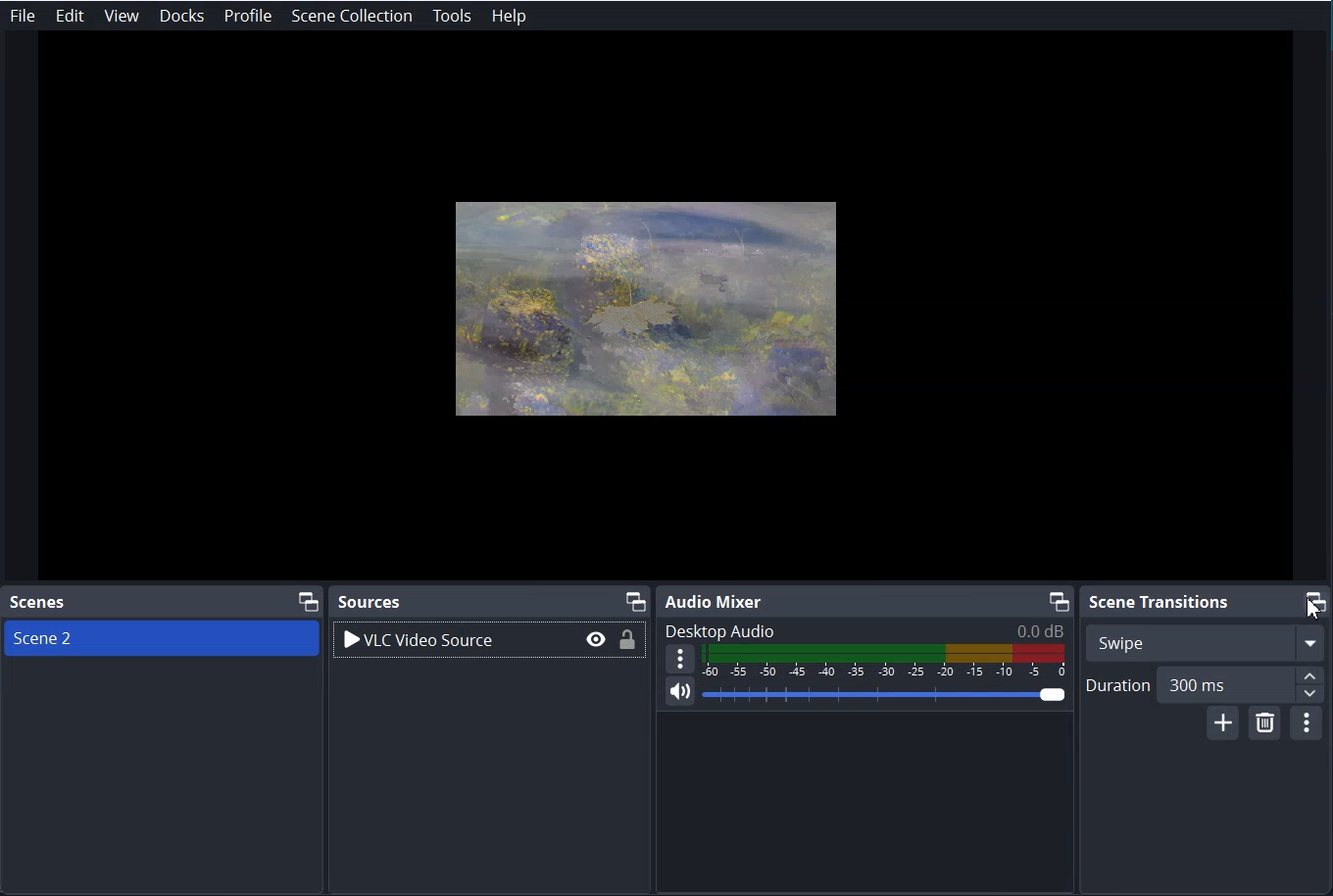 Image resolution: width=1333 pixels, height=896 pixels. What do you see at coordinates (1265, 729) in the screenshot?
I see `Remove Configurable Transition` at bounding box center [1265, 729].